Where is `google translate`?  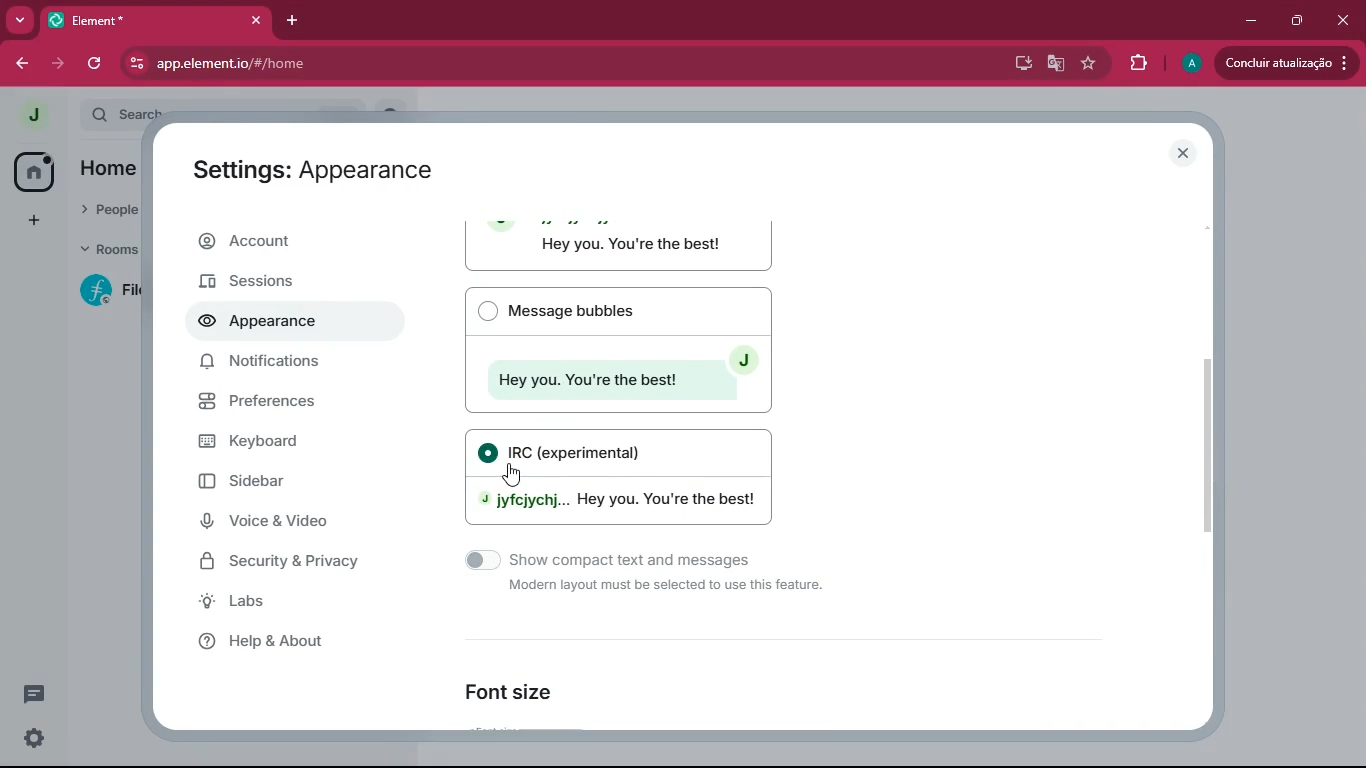 google translate is located at coordinates (1057, 65).